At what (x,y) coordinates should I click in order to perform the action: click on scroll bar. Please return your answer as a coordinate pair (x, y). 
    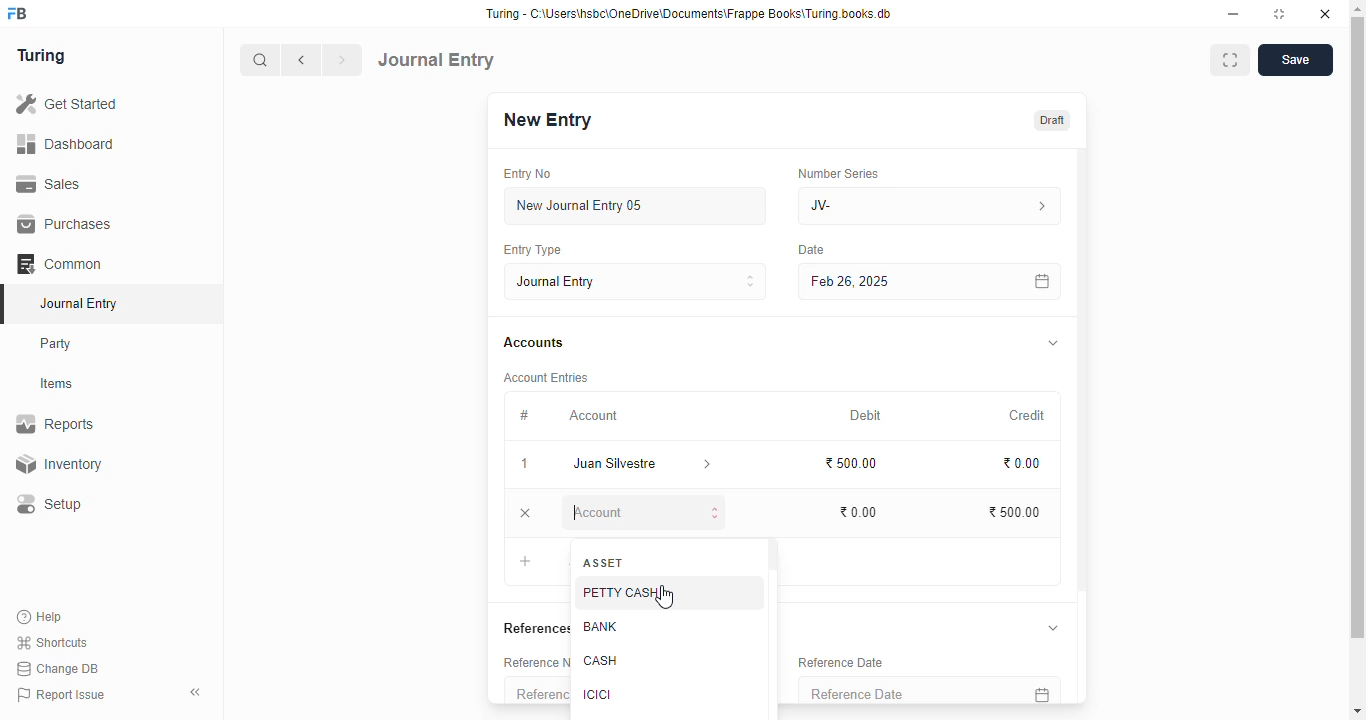
    Looking at the image, I should click on (775, 623).